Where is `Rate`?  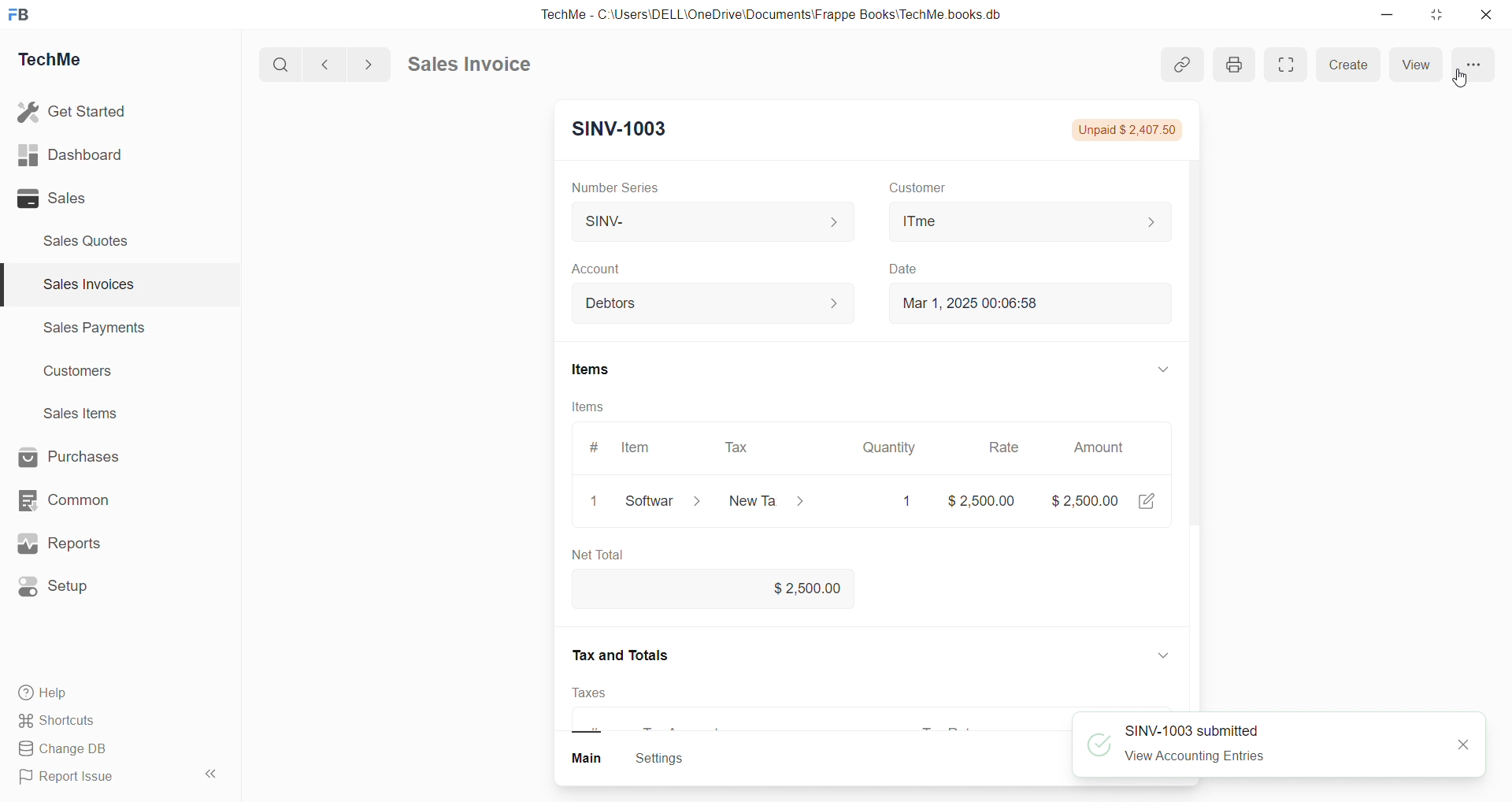
Rate is located at coordinates (1006, 447).